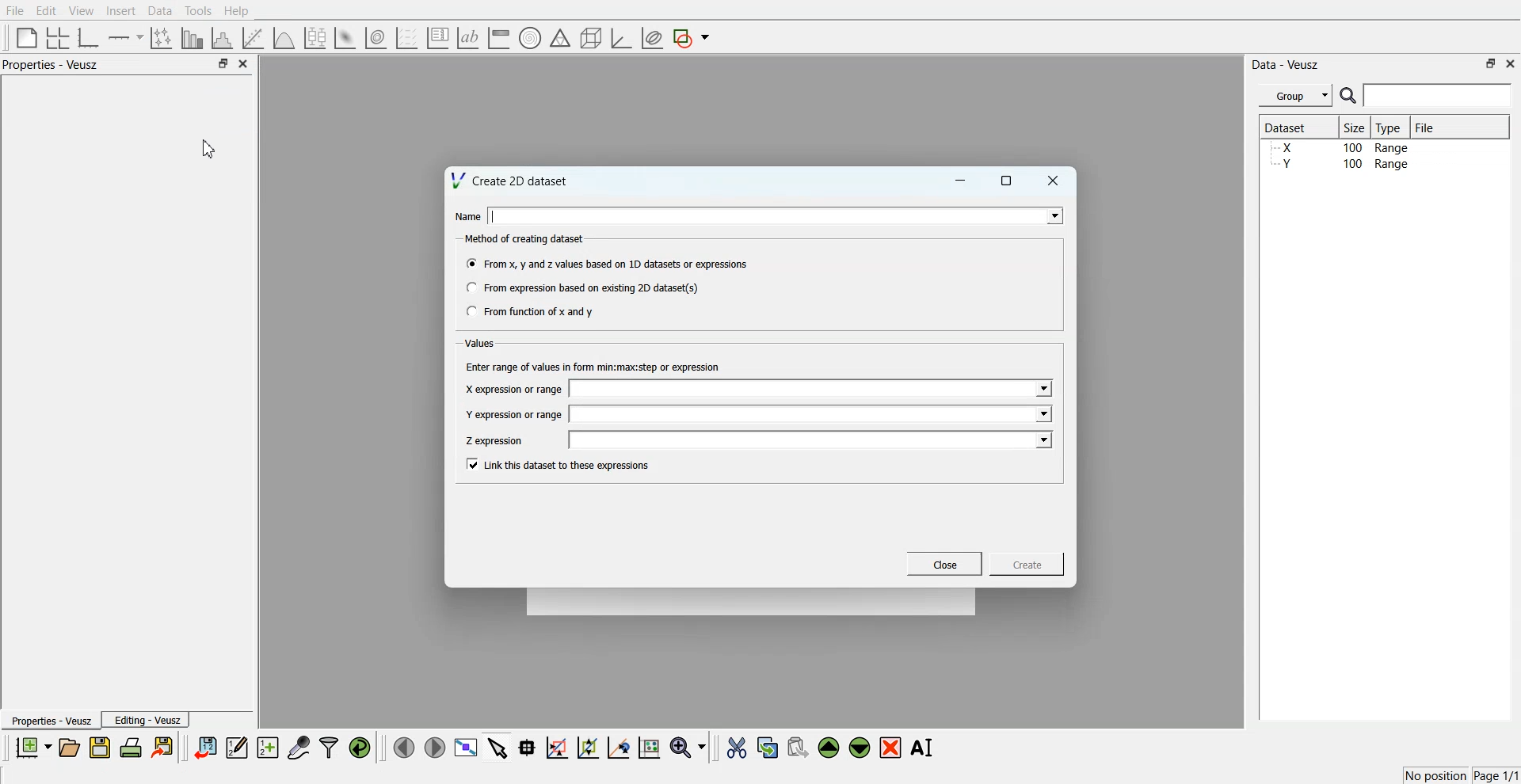 This screenshot has height=784, width=1521. What do you see at coordinates (51, 64) in the screenshot?
I see `Properties - Veusz` at bounding box center [51, 64].